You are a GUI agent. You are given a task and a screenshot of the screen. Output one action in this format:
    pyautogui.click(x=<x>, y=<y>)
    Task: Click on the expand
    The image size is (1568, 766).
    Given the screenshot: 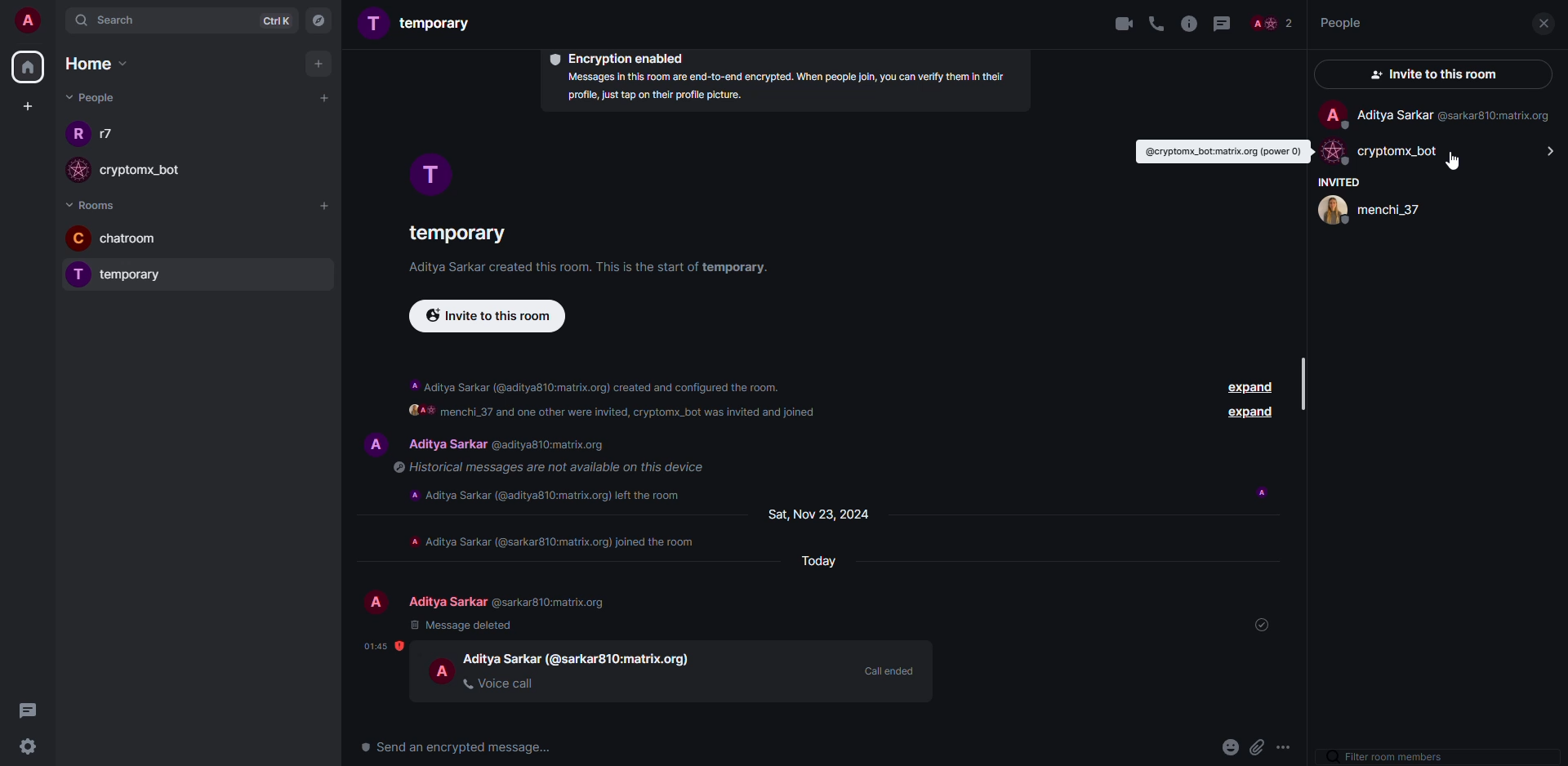 What is the action you would take?
    pyautogui.click(x=1251, y=413)
    